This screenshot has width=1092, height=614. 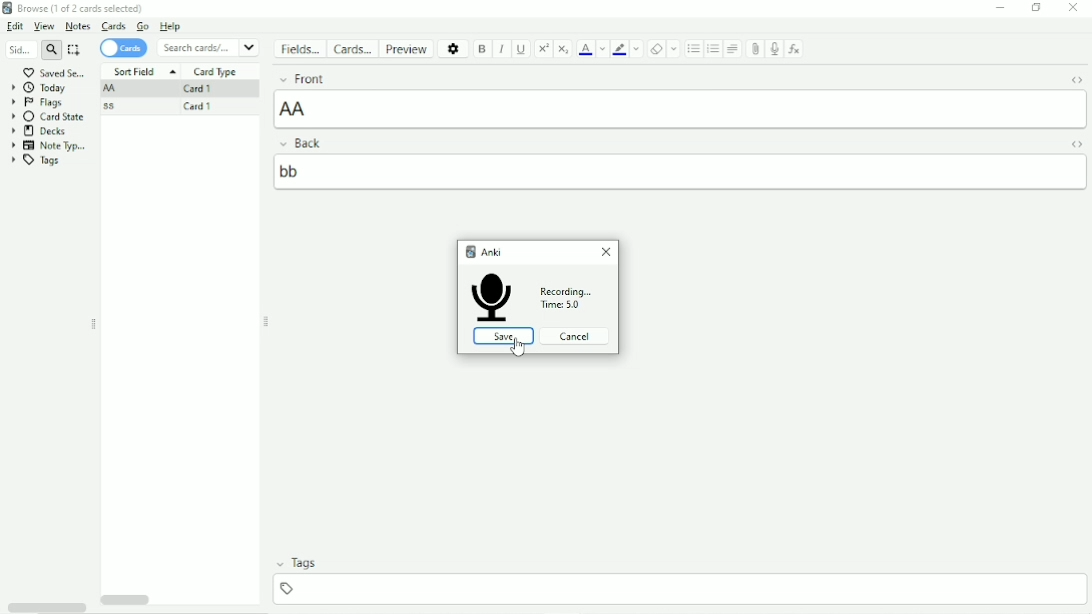 What do you see at coordinates (489, 248) in the screenshot?
I see `Anki` at bounding box center [489, 248].